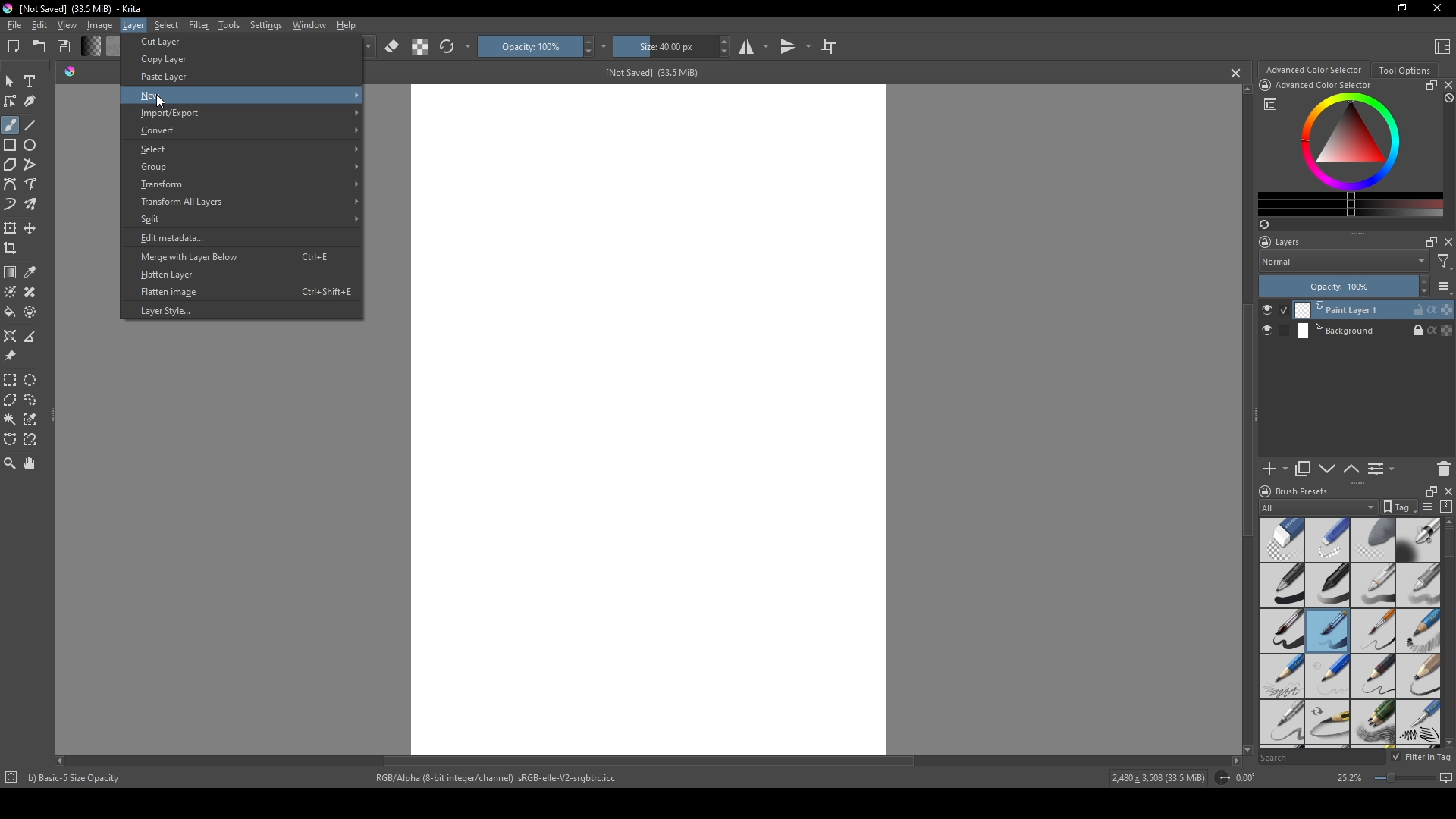  I want to click on Text, so click(33, 83).